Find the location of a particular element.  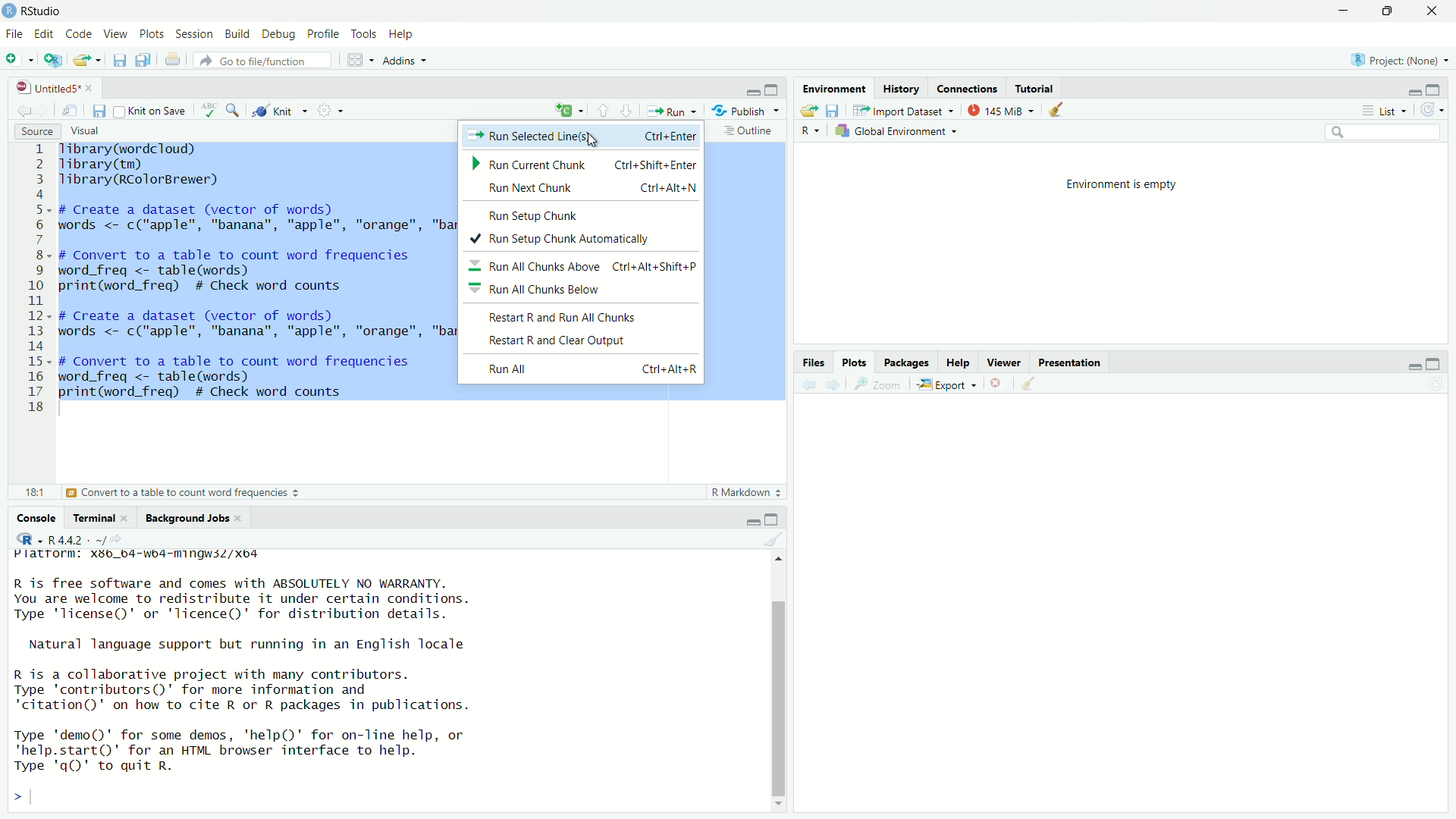

Edit is located at coordinates (45, 33).